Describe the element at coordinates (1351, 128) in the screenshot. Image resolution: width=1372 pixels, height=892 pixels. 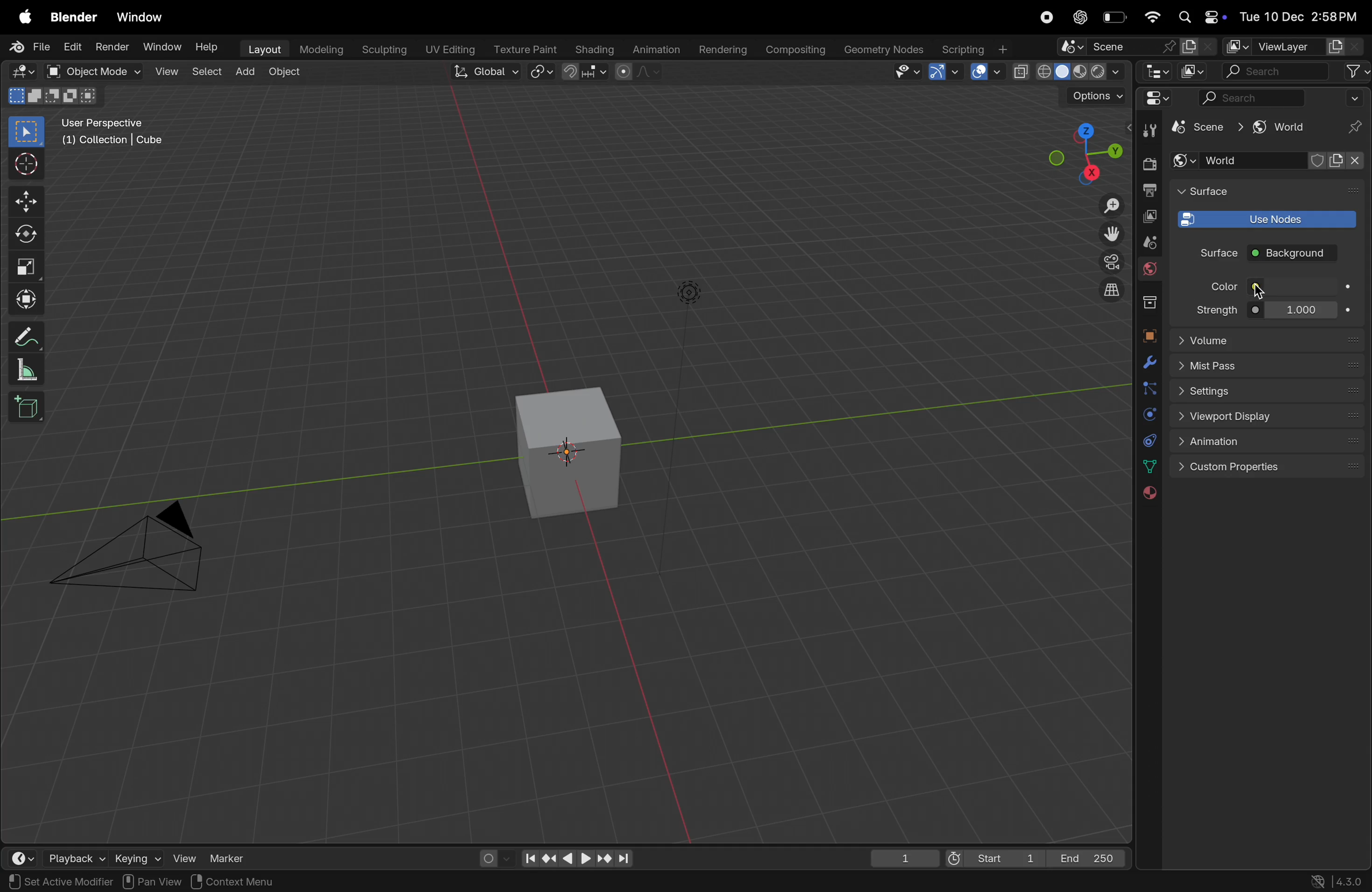
I see `pin` at that location.